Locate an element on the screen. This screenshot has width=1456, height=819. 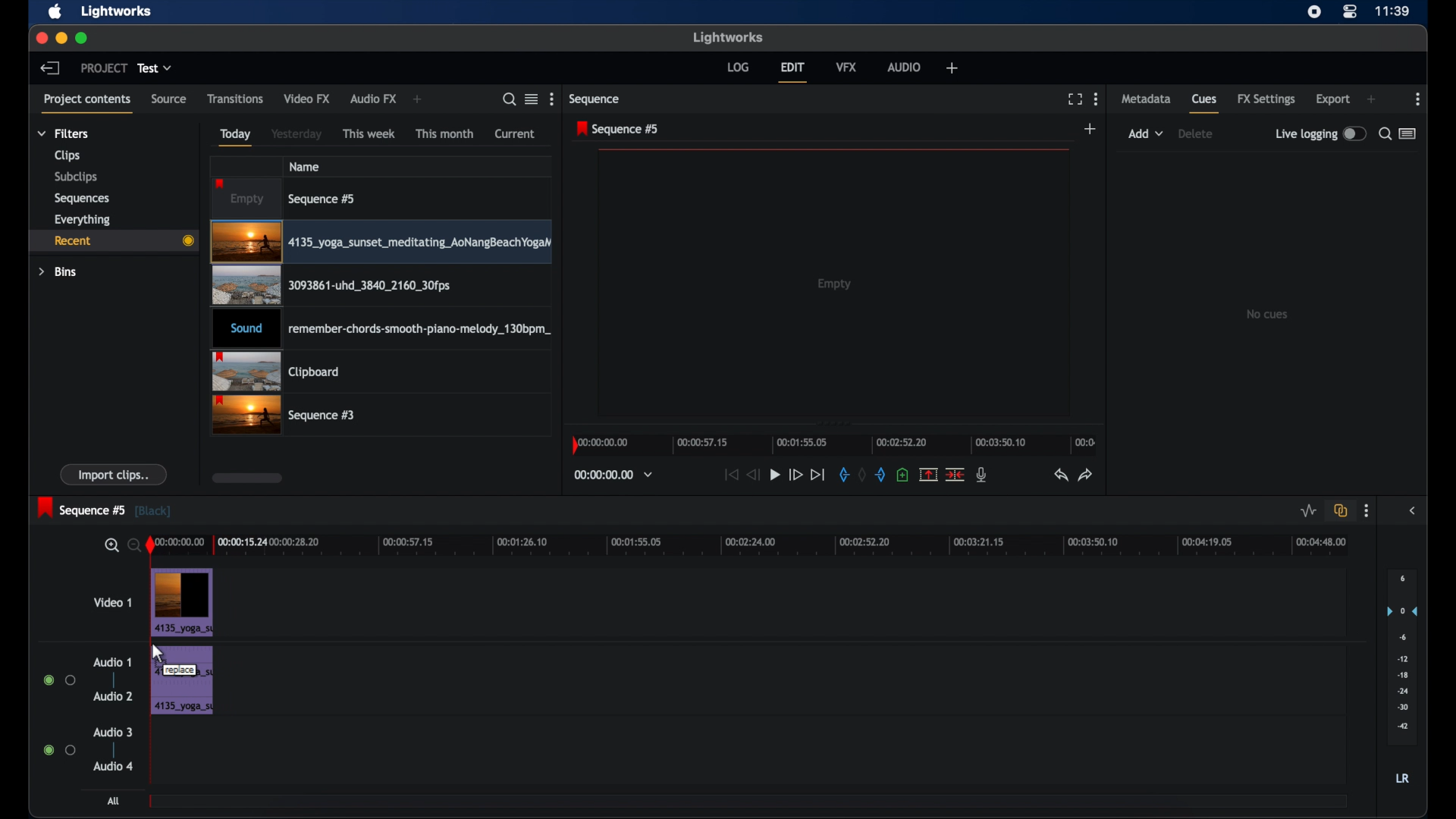
rewind is located at coordinates (754, 474).